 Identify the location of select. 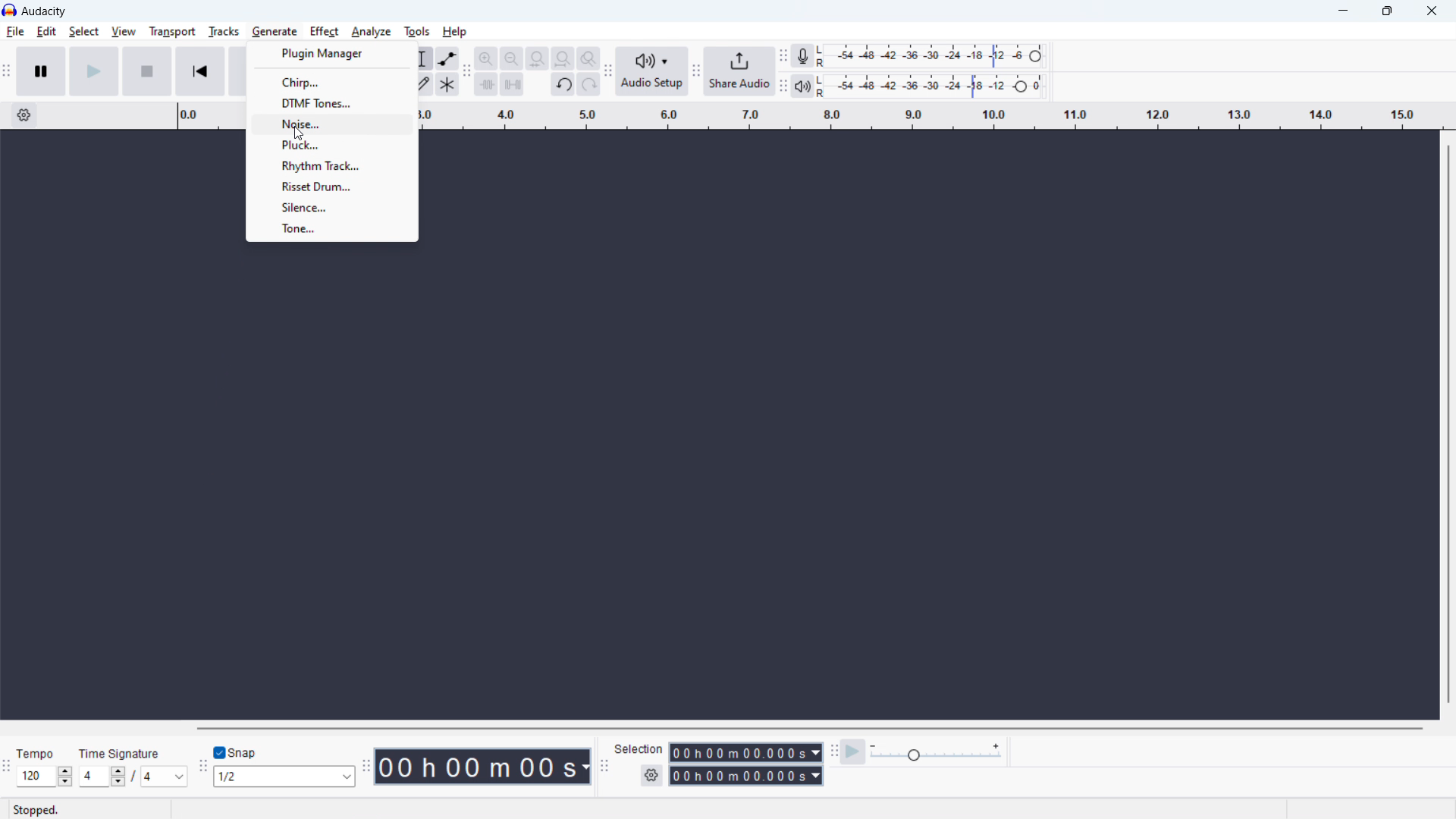
(84, 32).